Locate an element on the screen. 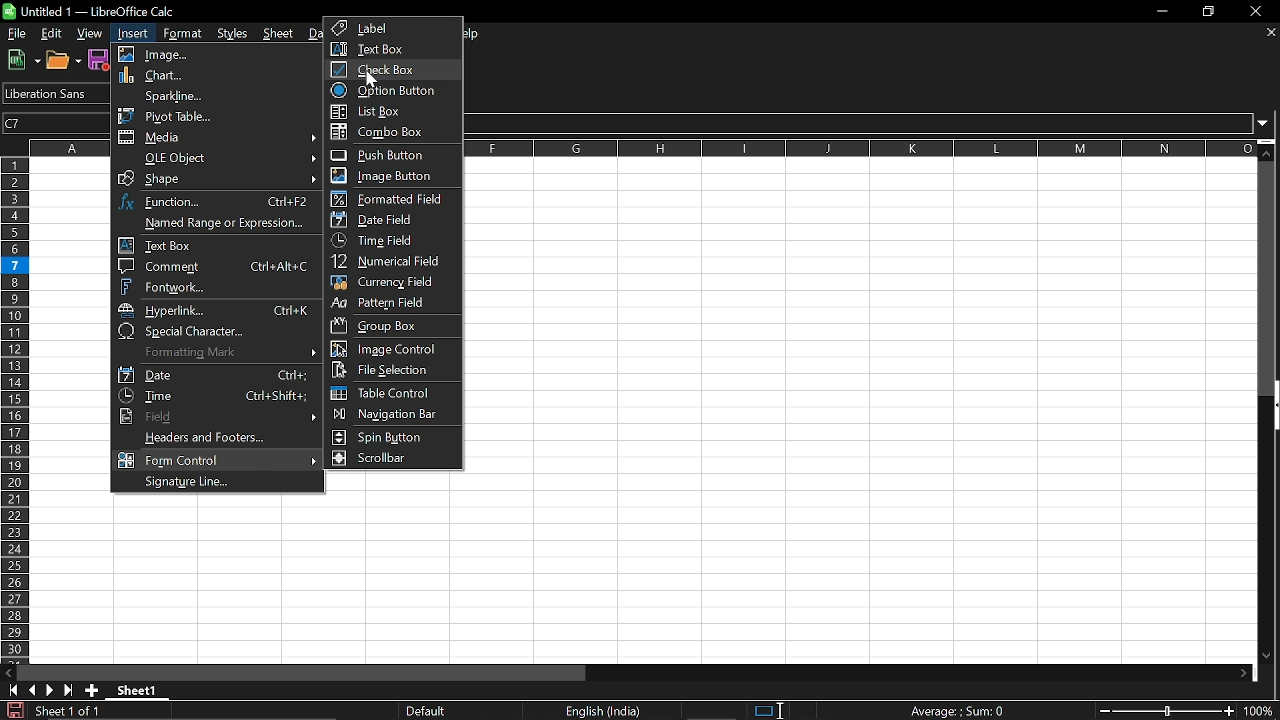 The height and width of the screenshot is (720, 1280). Table ontrol is located at coordinates (389, 393).